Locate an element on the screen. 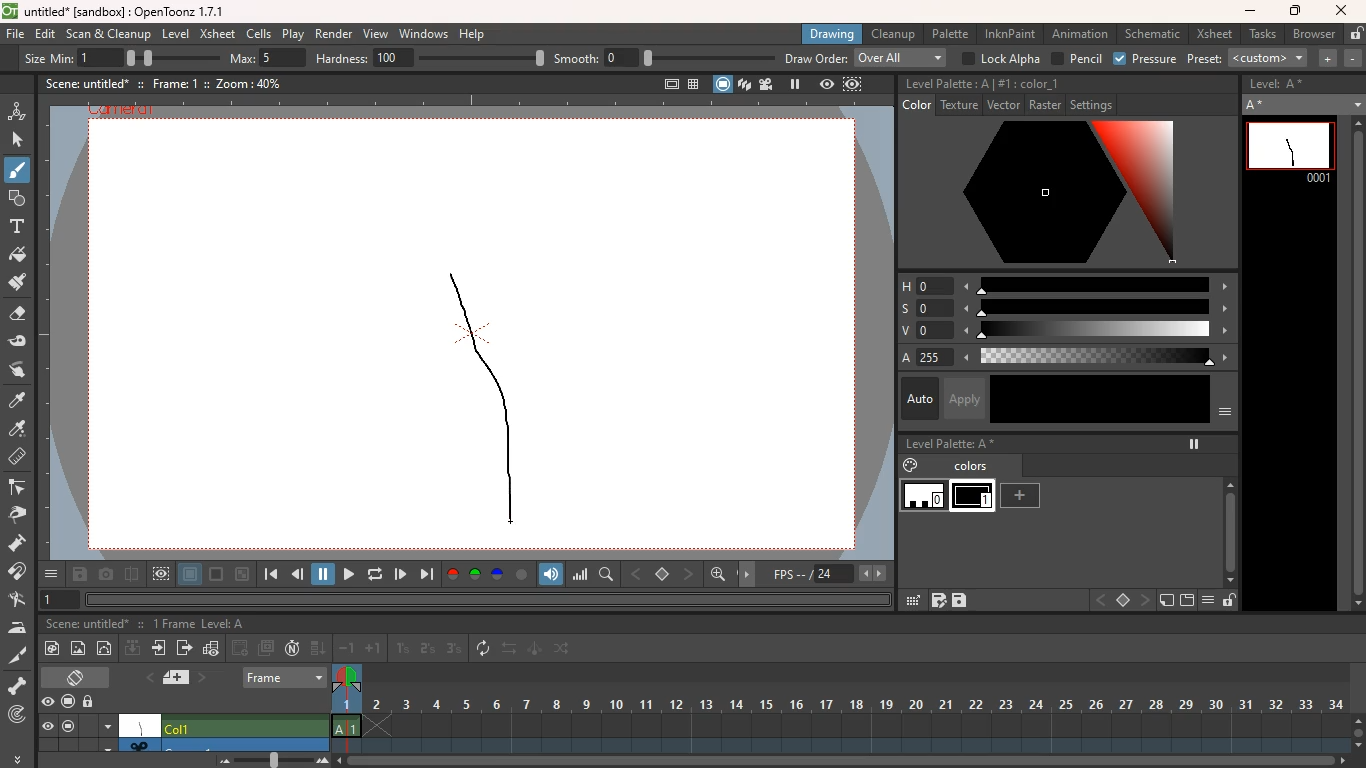 The height and width of the screenshot is (768, 1366). scale is located at coordinates (1103, 357).